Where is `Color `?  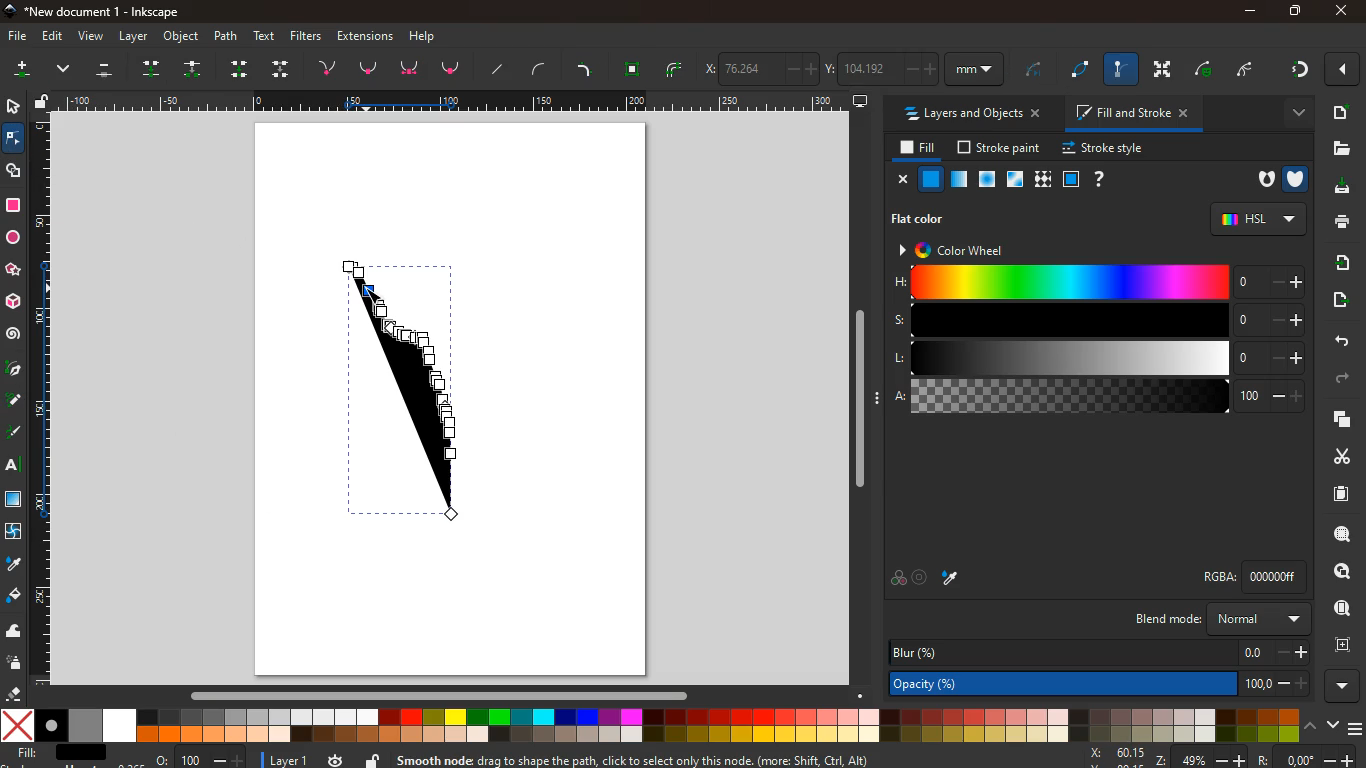 Color  is located at coordinates (13, 205).